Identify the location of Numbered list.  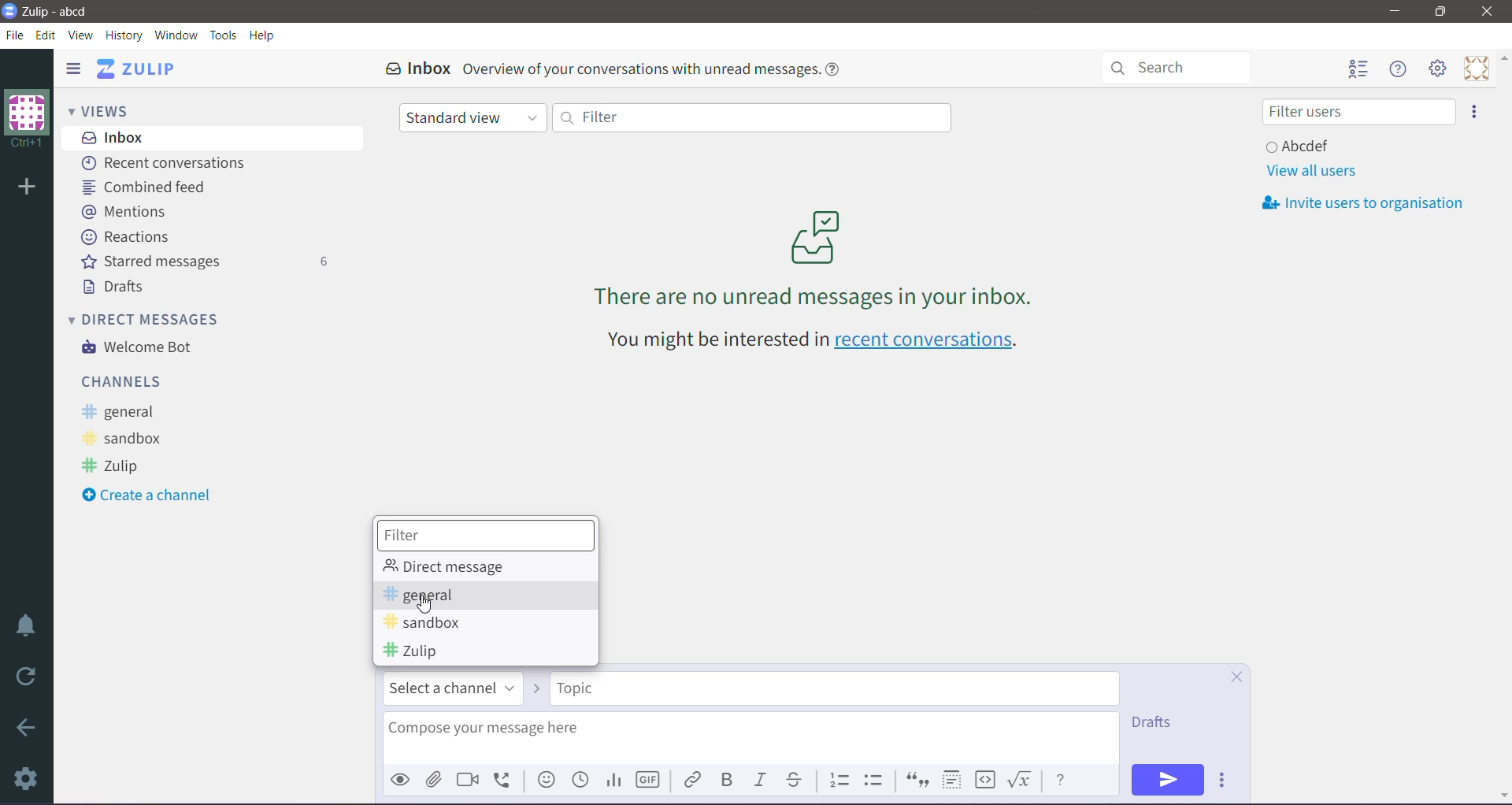
(839, 778).